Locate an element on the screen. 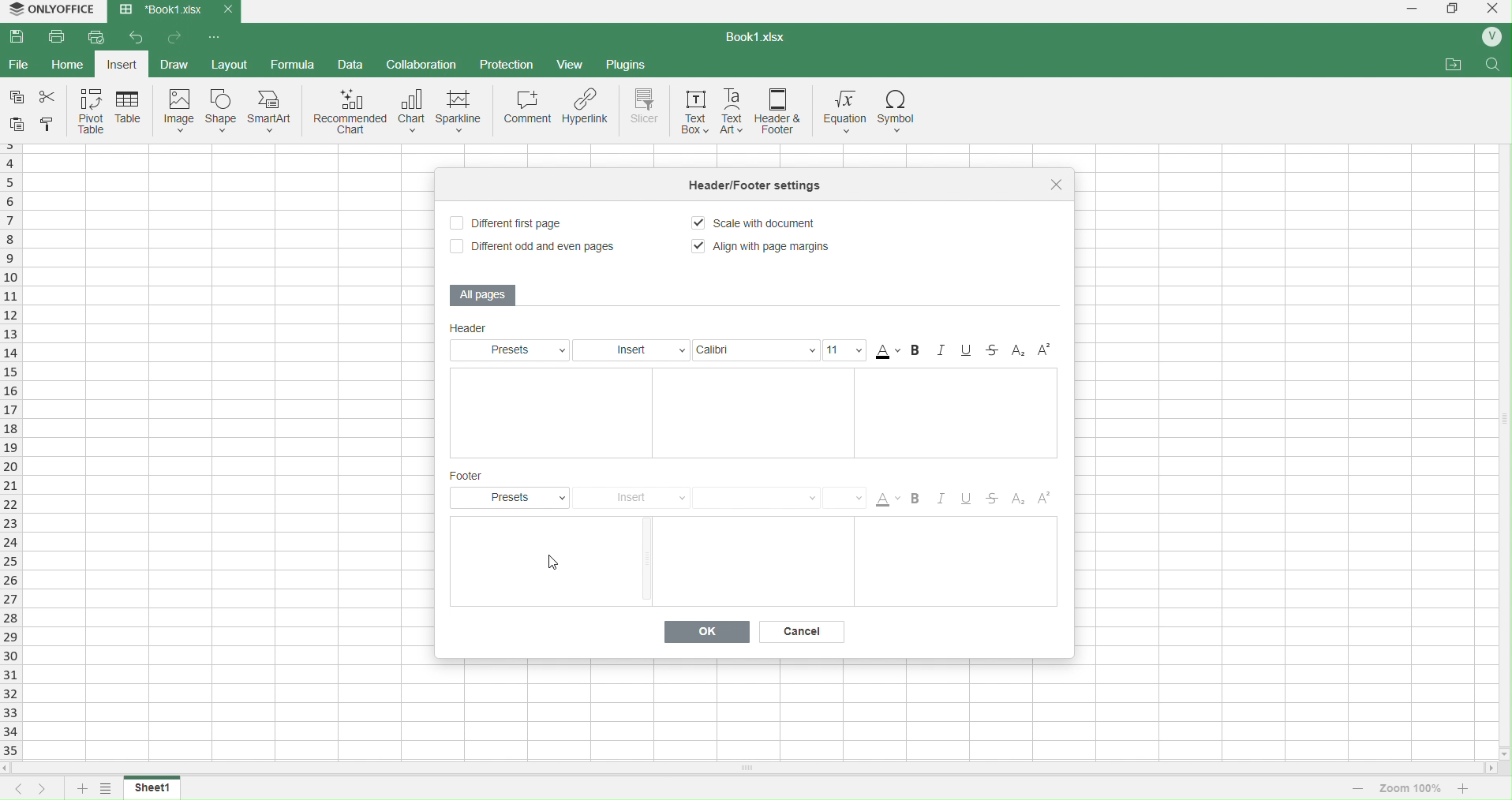  insert is located at coordinates (122, 64).